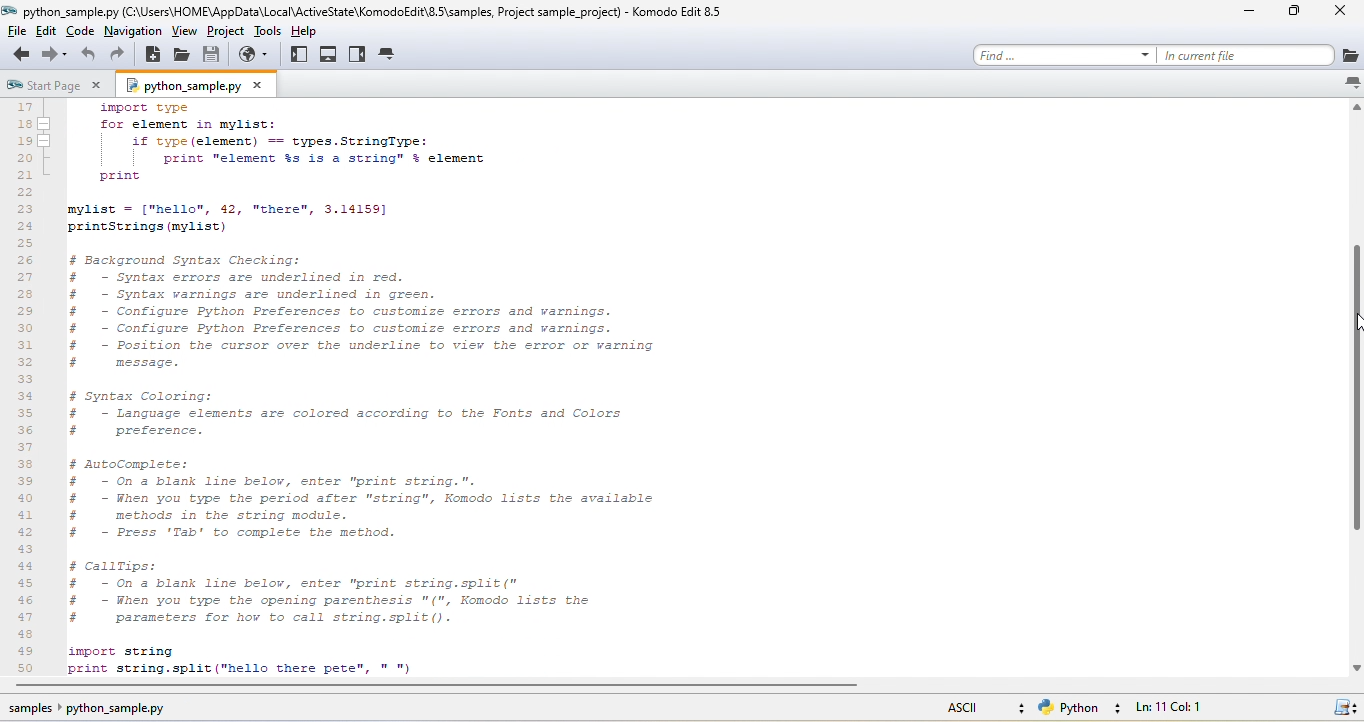 Image resolution: width=1364 pixels, height=722 pixels. What do you see at coordinates (182, 55) in the screenshot?
I see `open` at bounding box center [182, 55].